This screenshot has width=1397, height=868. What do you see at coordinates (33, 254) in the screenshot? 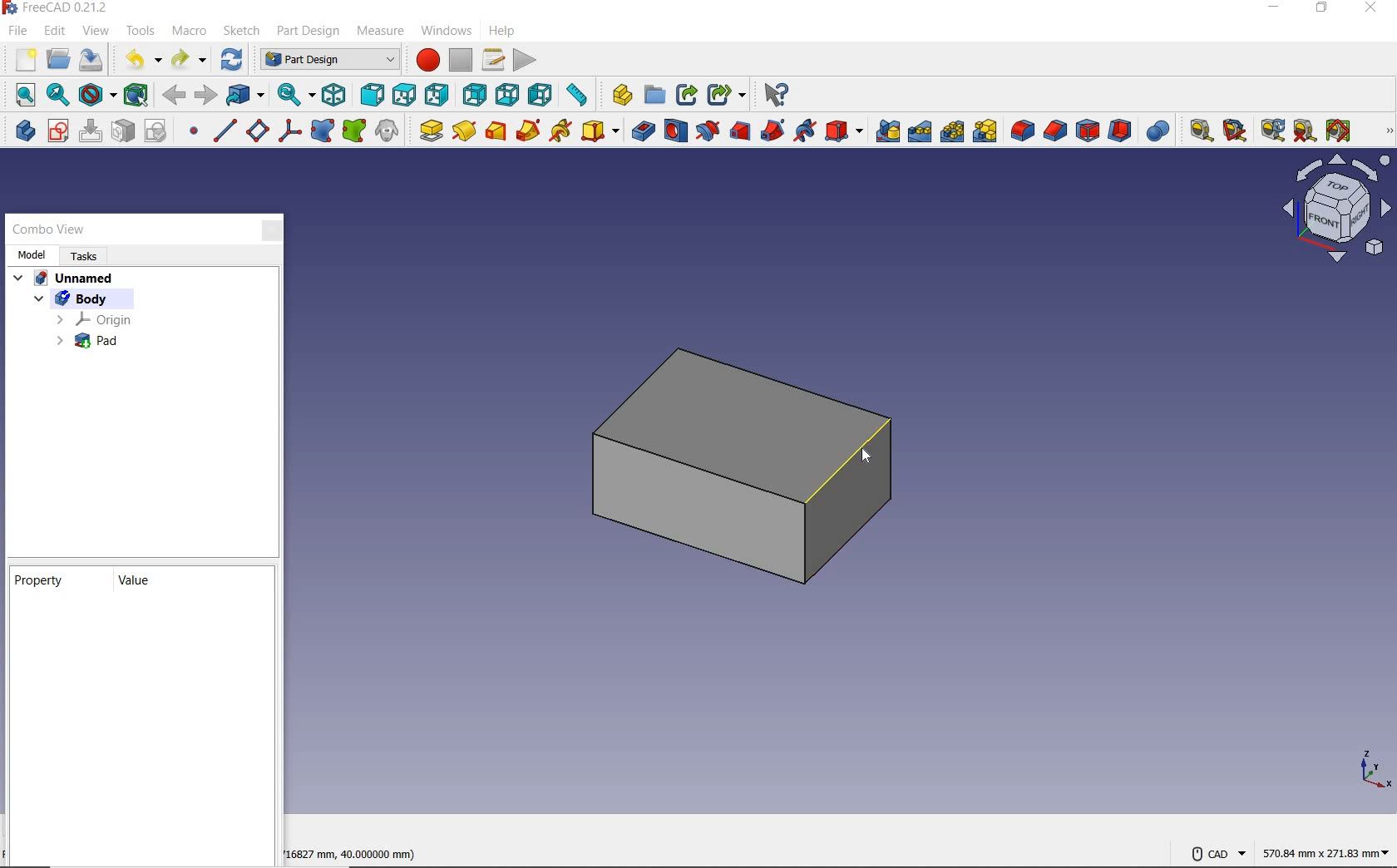
I see `model` at bounding box center [33, 254].